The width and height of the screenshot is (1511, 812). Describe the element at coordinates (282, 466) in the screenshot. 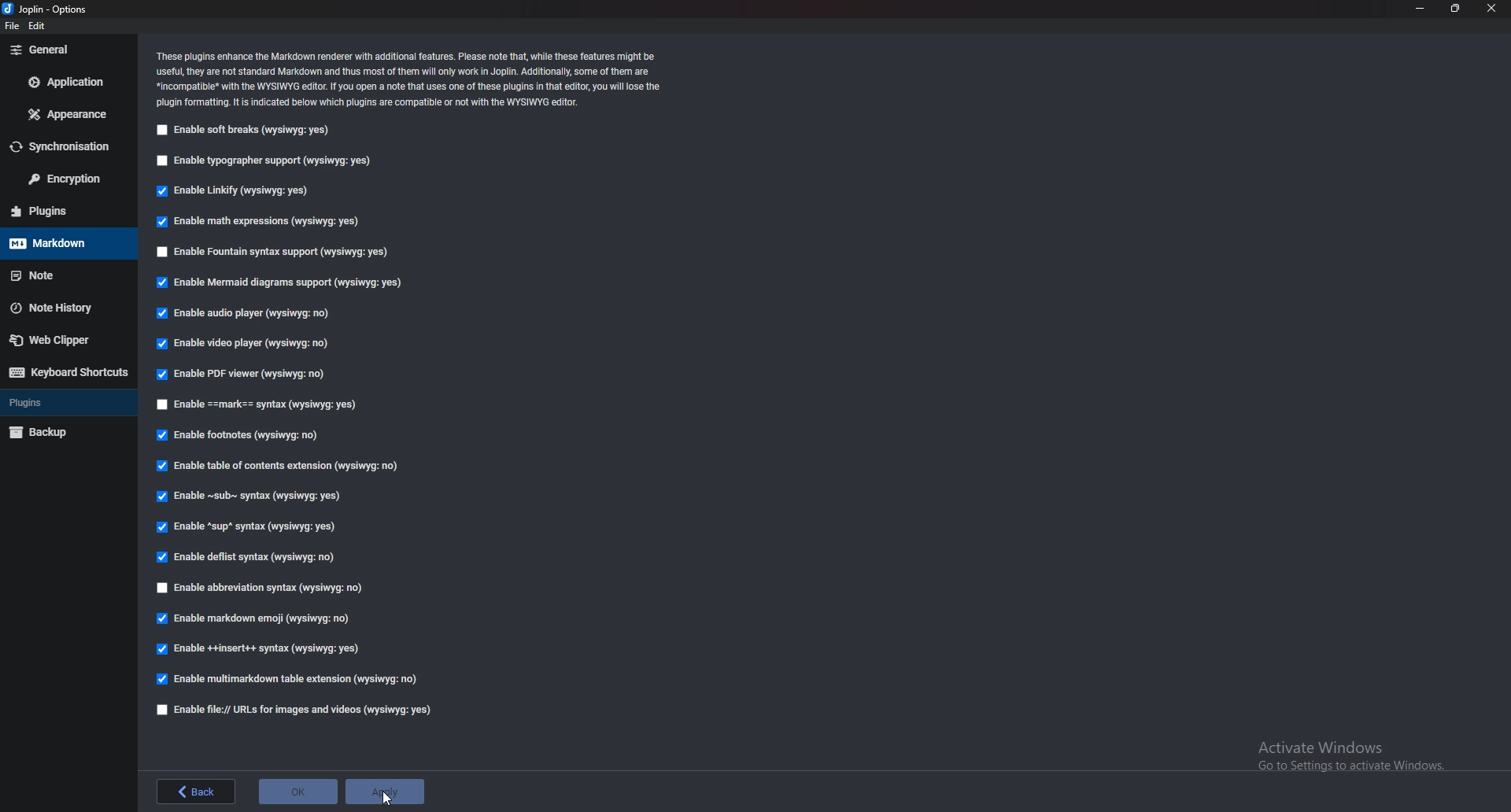

I see `Enable table of contents extension` at that location.